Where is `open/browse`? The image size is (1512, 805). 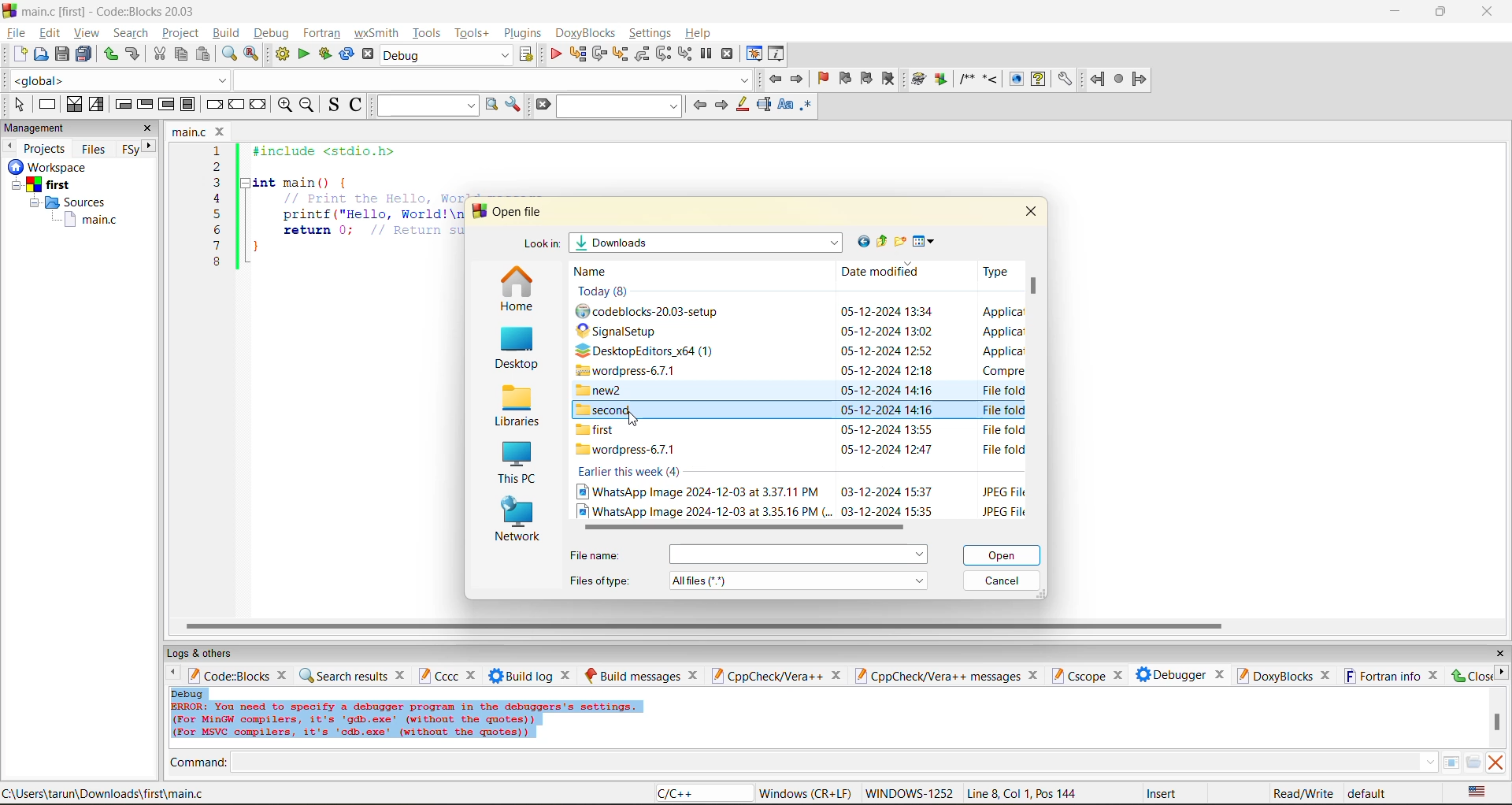
open/browse is located at coordinates (1473, 763).